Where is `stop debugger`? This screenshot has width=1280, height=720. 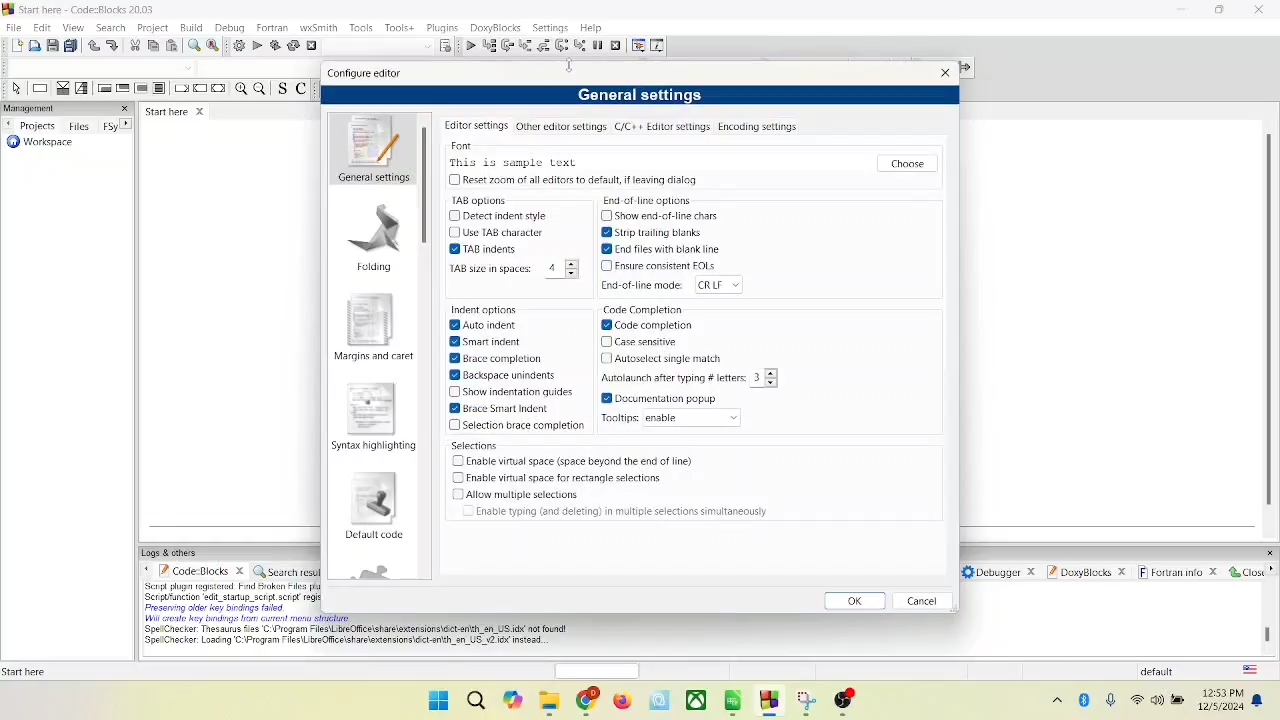 stop debugger is located at coordinates (617, 46).